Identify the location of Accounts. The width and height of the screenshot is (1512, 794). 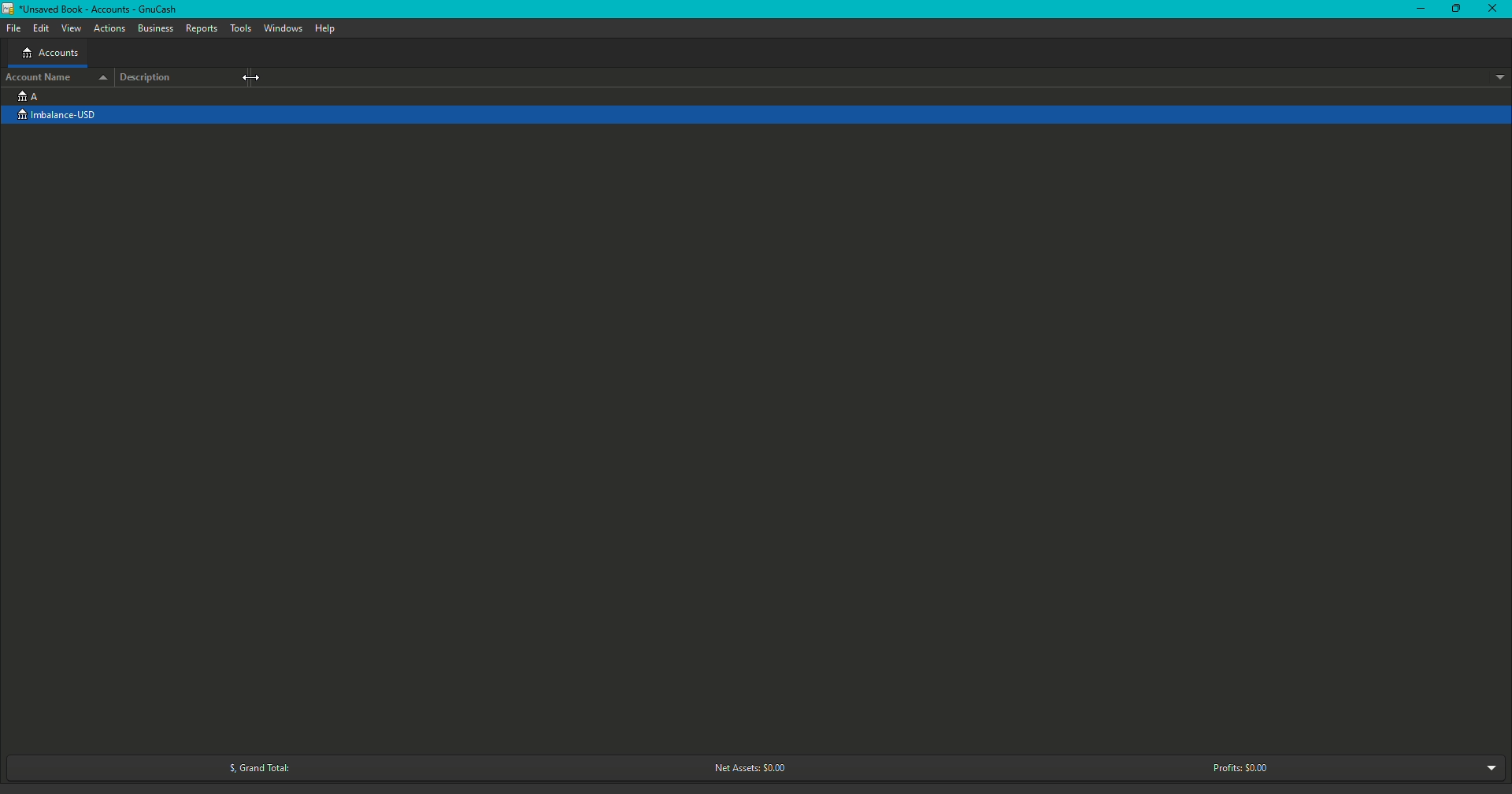
(50, 54).